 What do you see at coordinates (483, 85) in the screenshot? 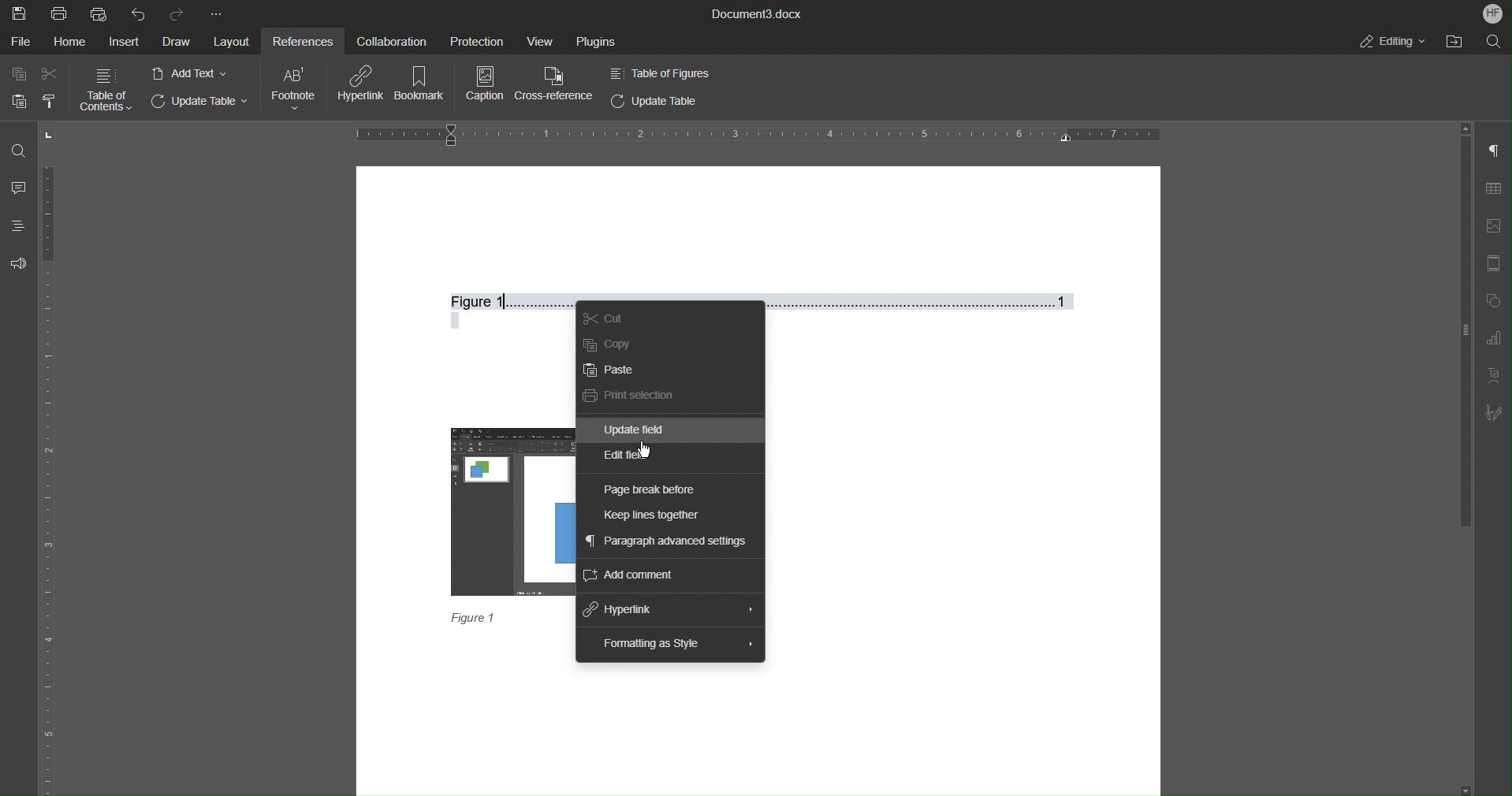
I see `Caption` at bounding box center [483, 85].